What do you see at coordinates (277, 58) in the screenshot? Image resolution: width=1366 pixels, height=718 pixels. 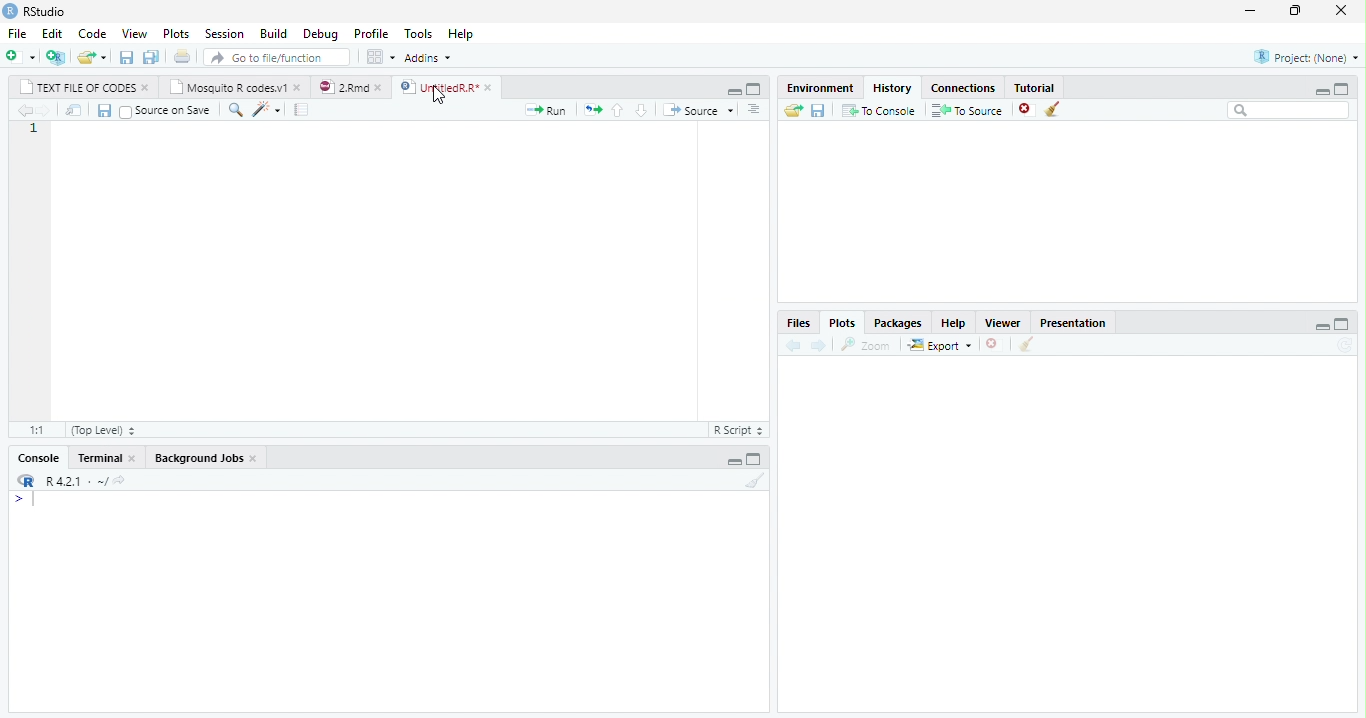 I see `go to file/function` at bounding box center [277, 58].